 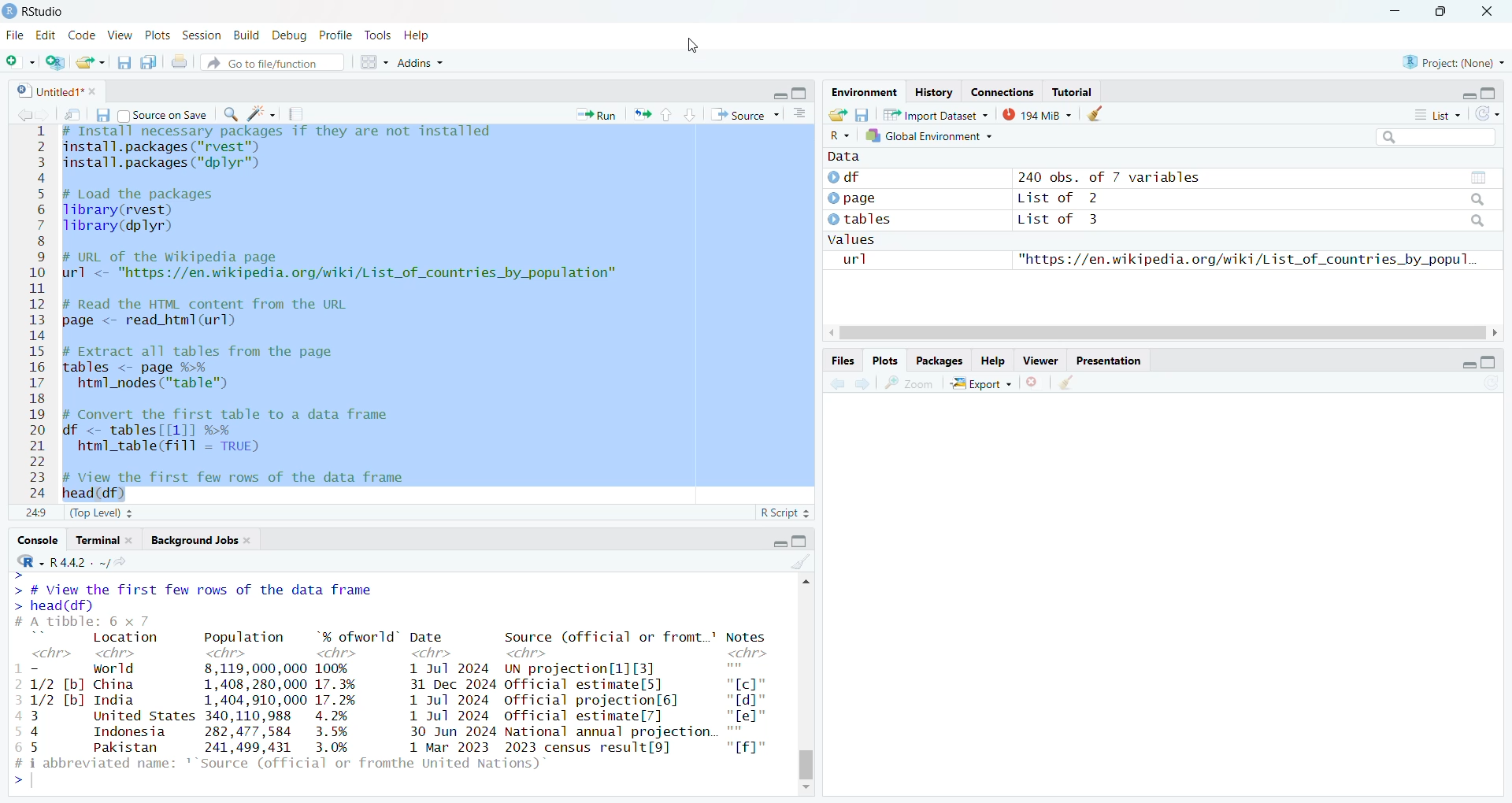 What do you see at coordinates (1095, 113) in the screenshot?
I see `clear` at bounding box center [1095, 113].